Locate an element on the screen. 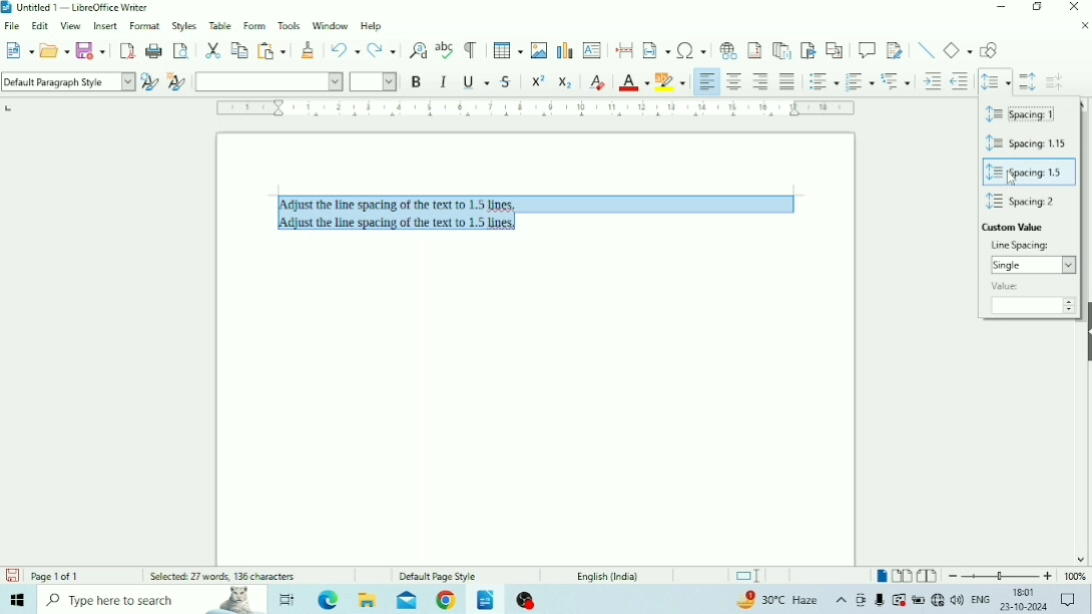 The height and width of the screenshot is (614, 1092). File is located at coordinates (12, 26).